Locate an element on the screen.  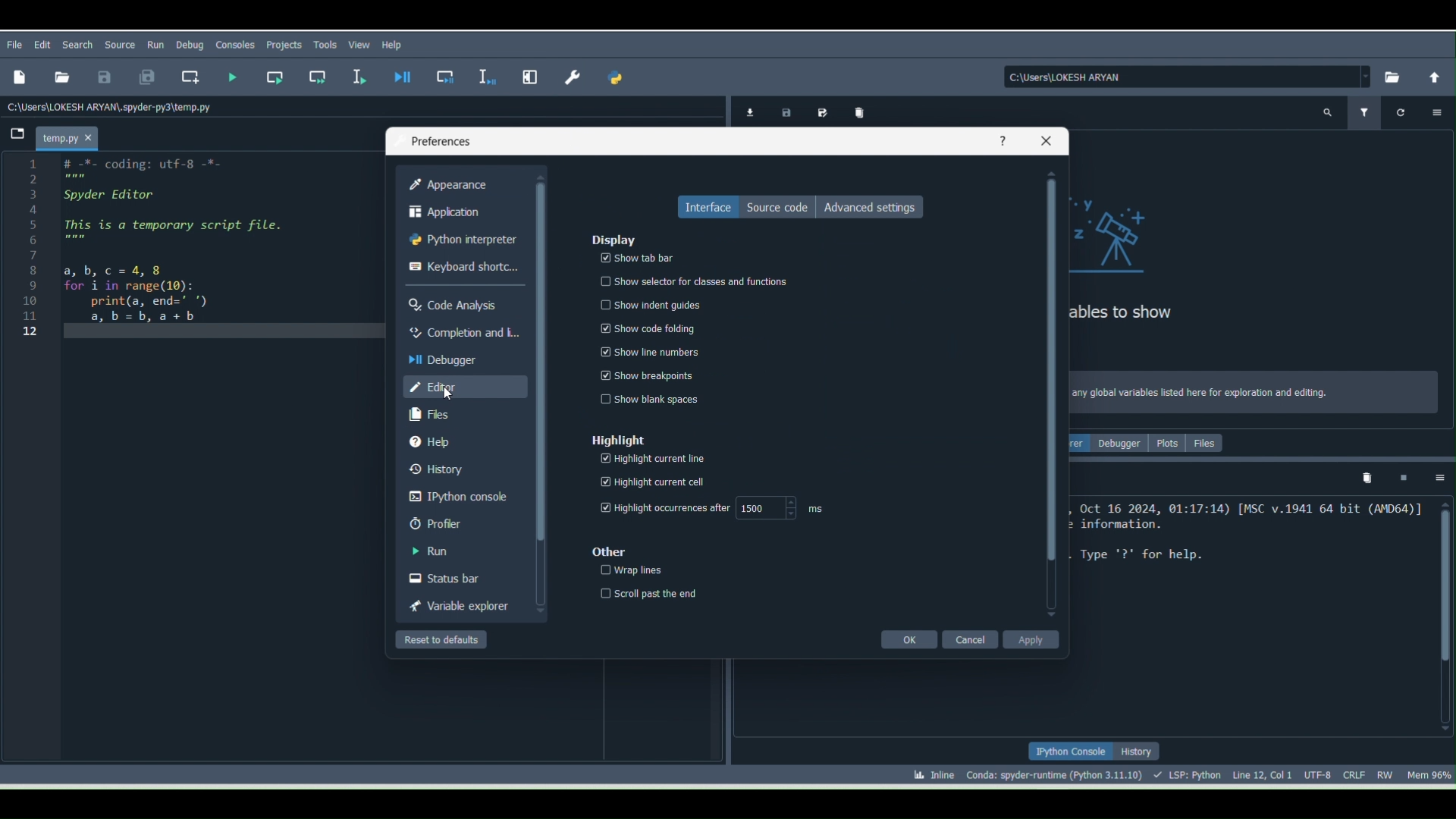
Highlights is located at coordinates (613, 436).